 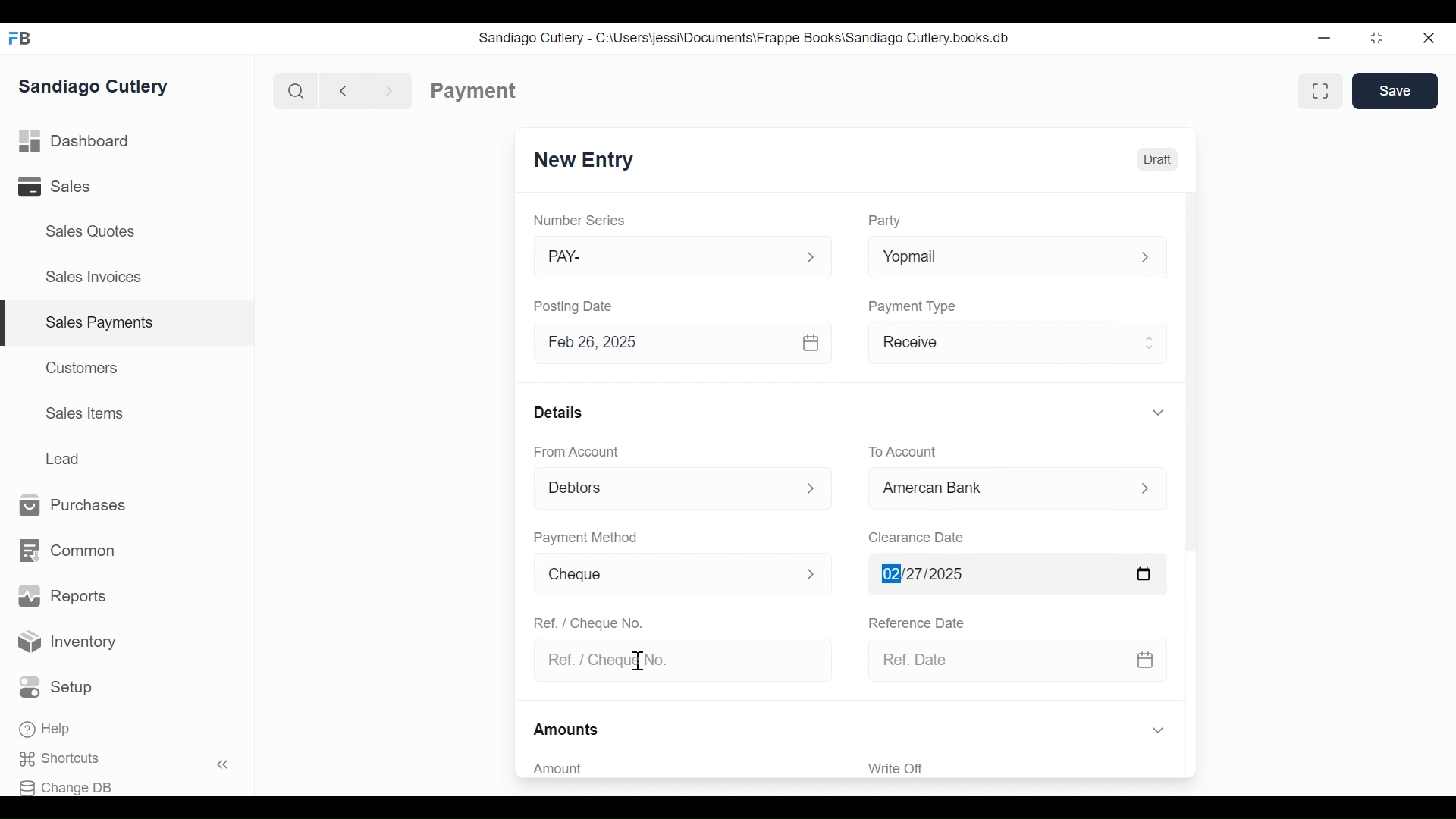 I want to click on Expand, so click(x=1145, y=259).